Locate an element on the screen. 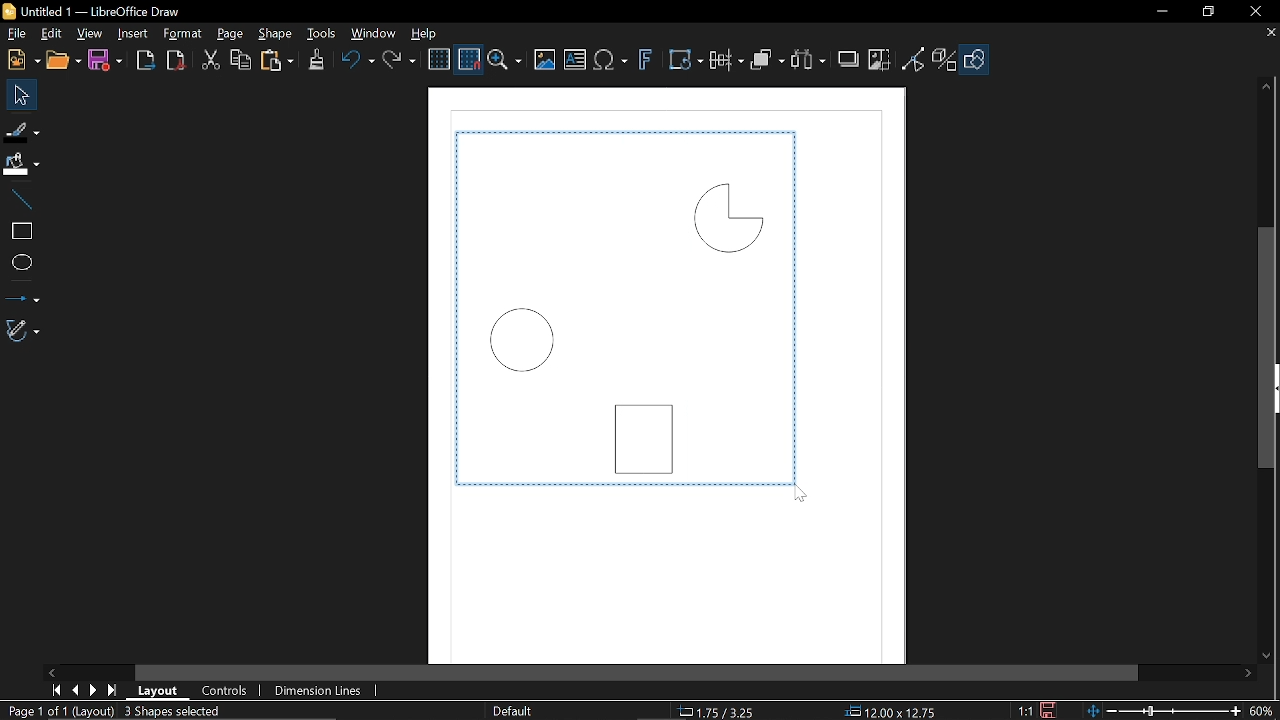 This screenshot has width=1280, height=720. Change zoom is located at coordinates (1162, 712).